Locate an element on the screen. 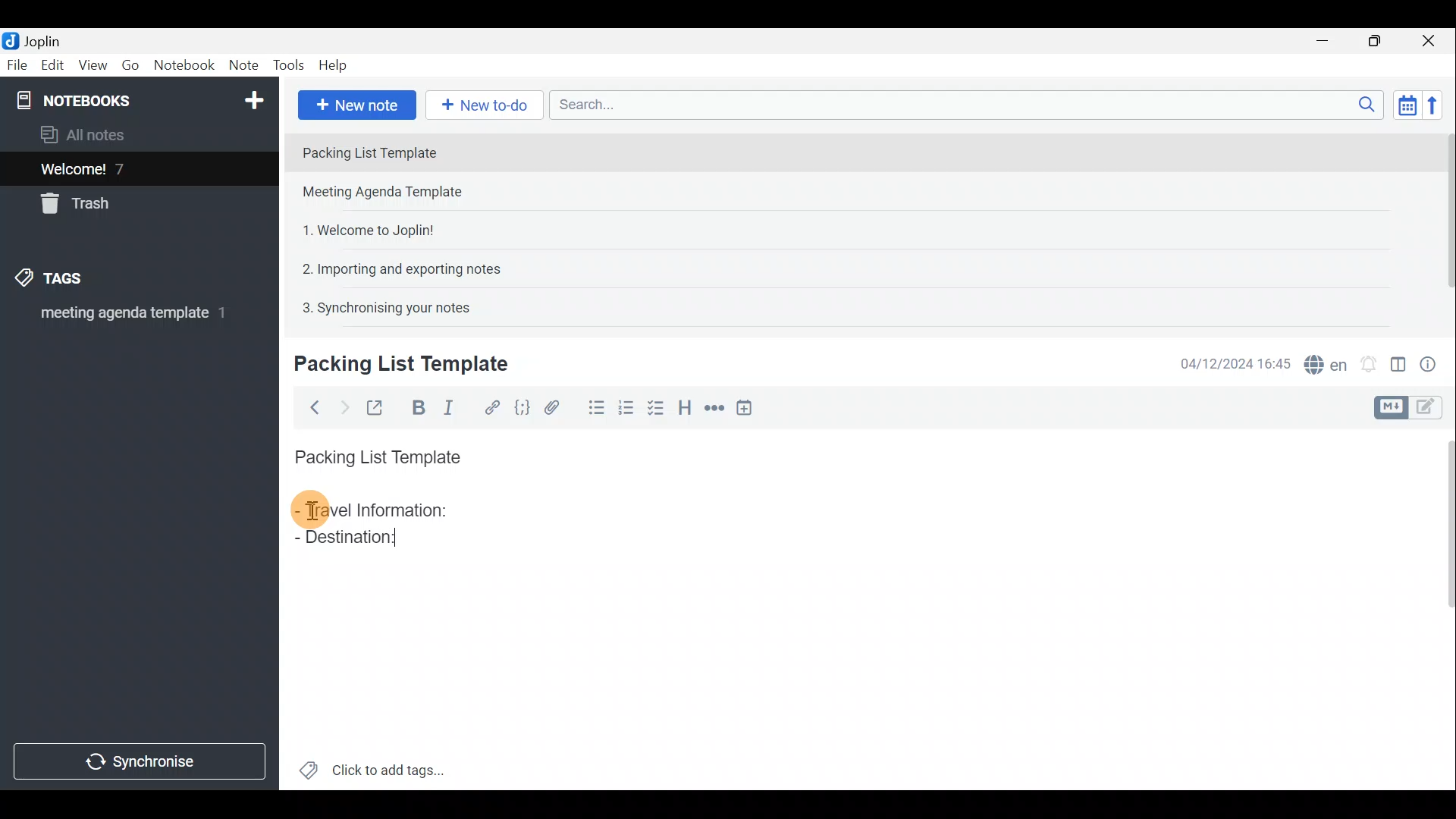 The height and width of the screenshot is (819, 1456). Bulleted list is located at coordinates (593, 410).